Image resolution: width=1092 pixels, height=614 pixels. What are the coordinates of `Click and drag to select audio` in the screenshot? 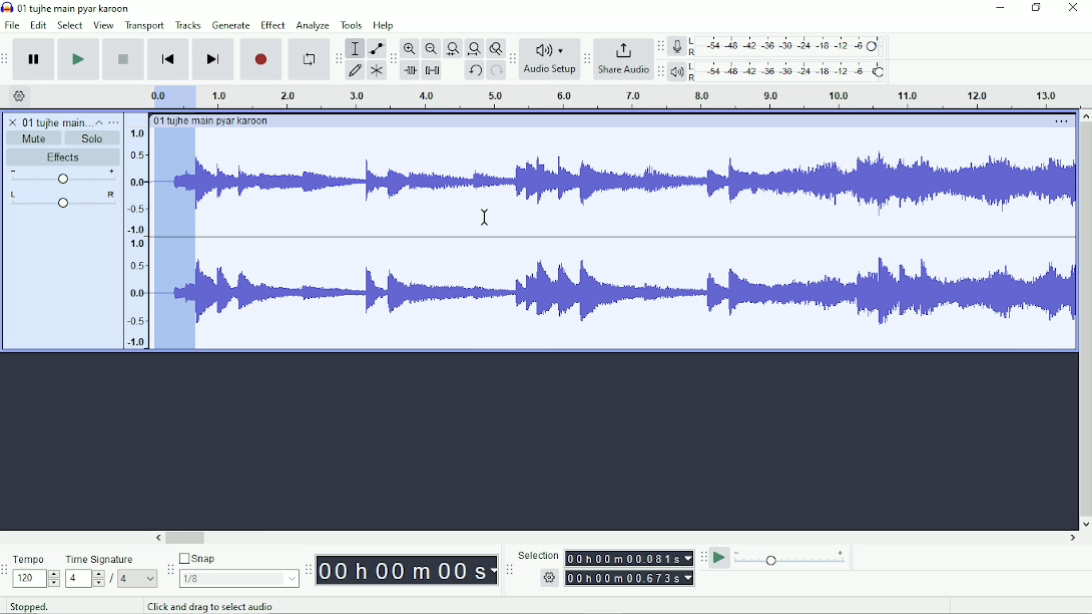 It's located at (245, 606).